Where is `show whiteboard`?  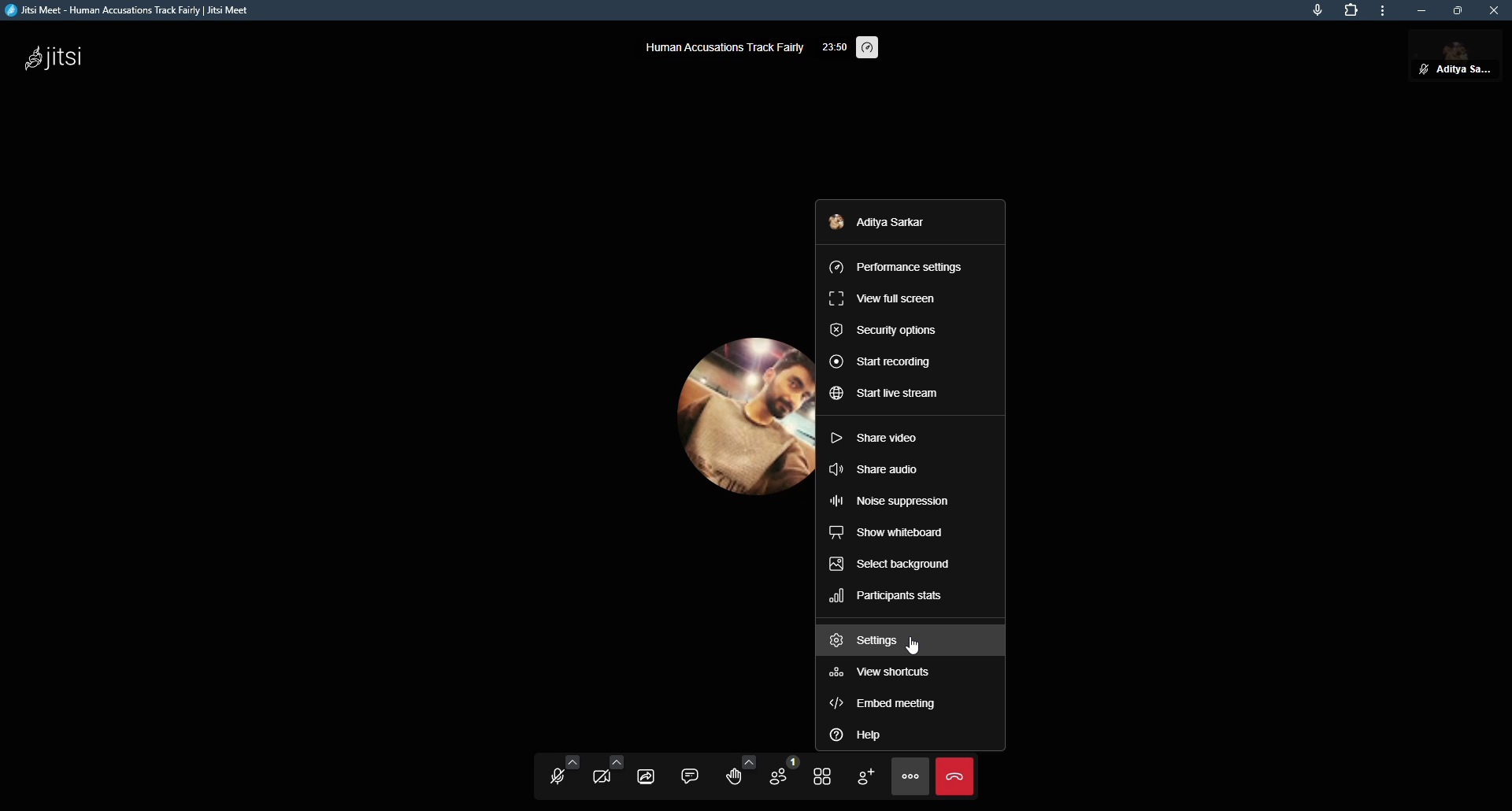
show whiteboard is located at coordinates (887, 534).